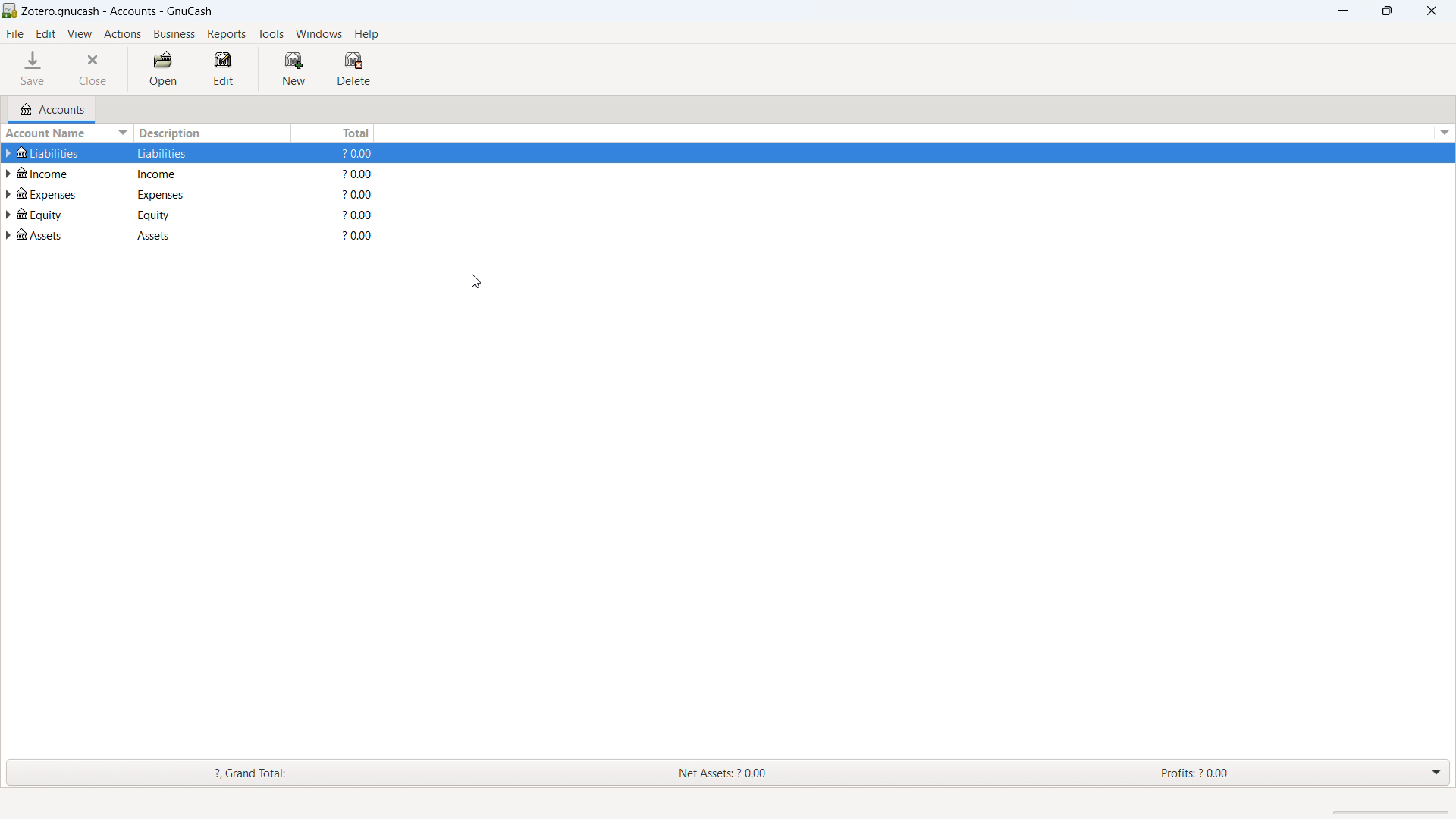 This screenshot has height=819, width=1456. What do you see at coordinates (227, 69) in the screenshot?
I see `edit` at bounding box center [227, 69].